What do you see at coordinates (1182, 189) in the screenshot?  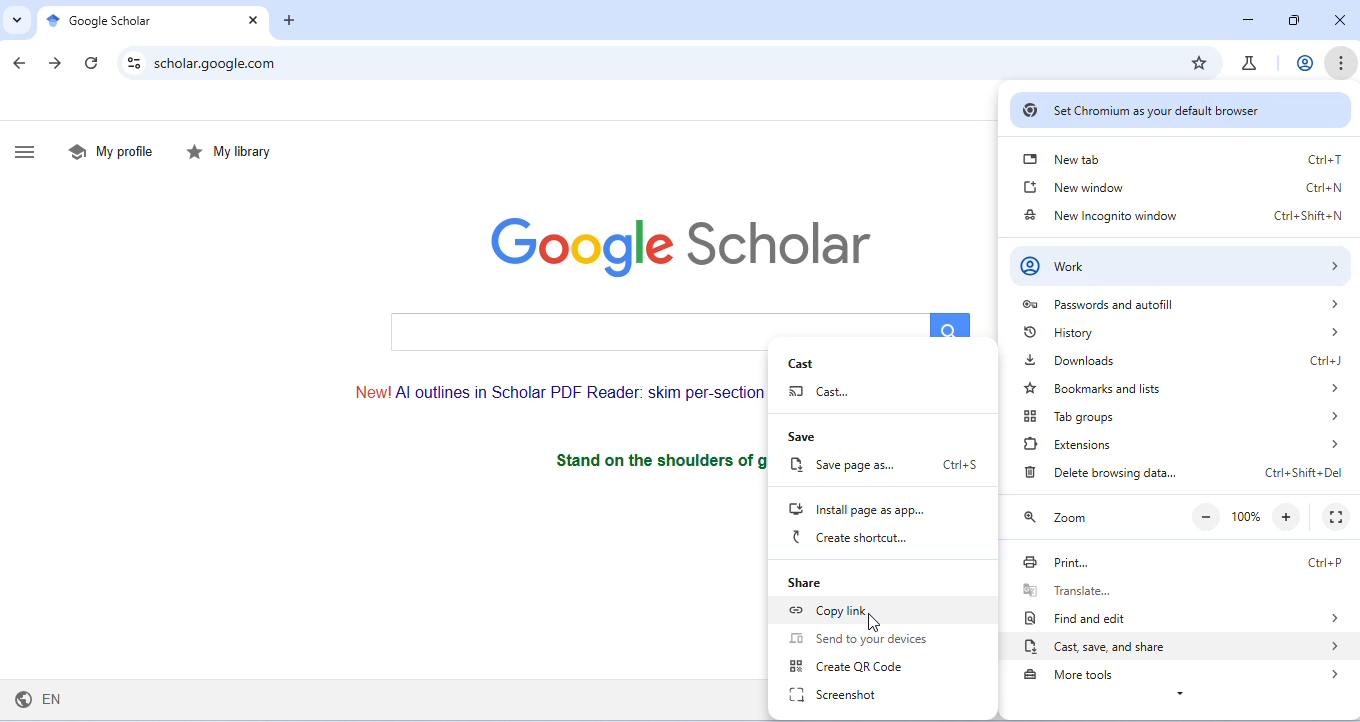 I see `new window` at bounding box center [1182, 189].